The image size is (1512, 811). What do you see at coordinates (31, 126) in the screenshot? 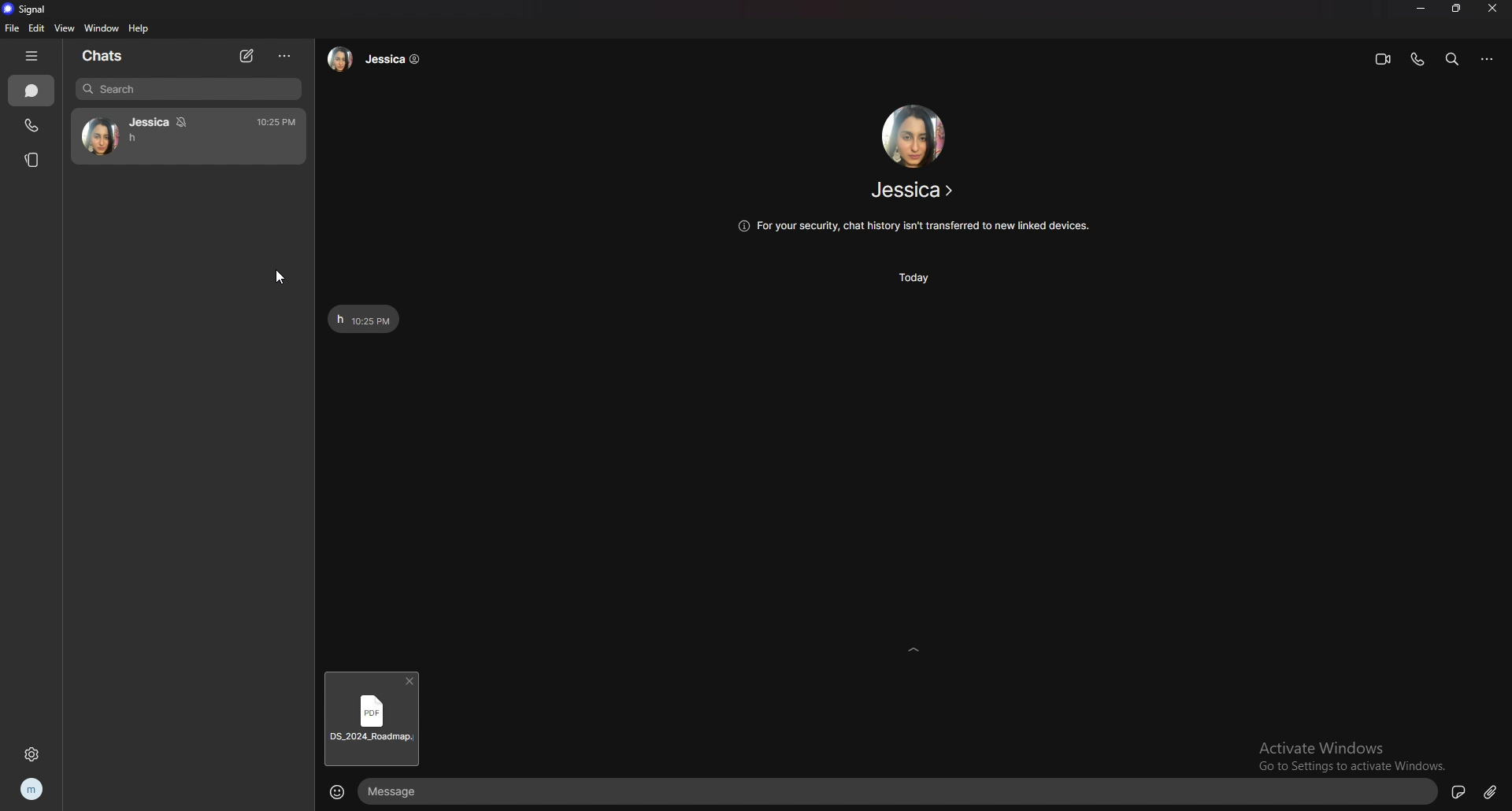
I see `calls` at bounding box center [31, 126].